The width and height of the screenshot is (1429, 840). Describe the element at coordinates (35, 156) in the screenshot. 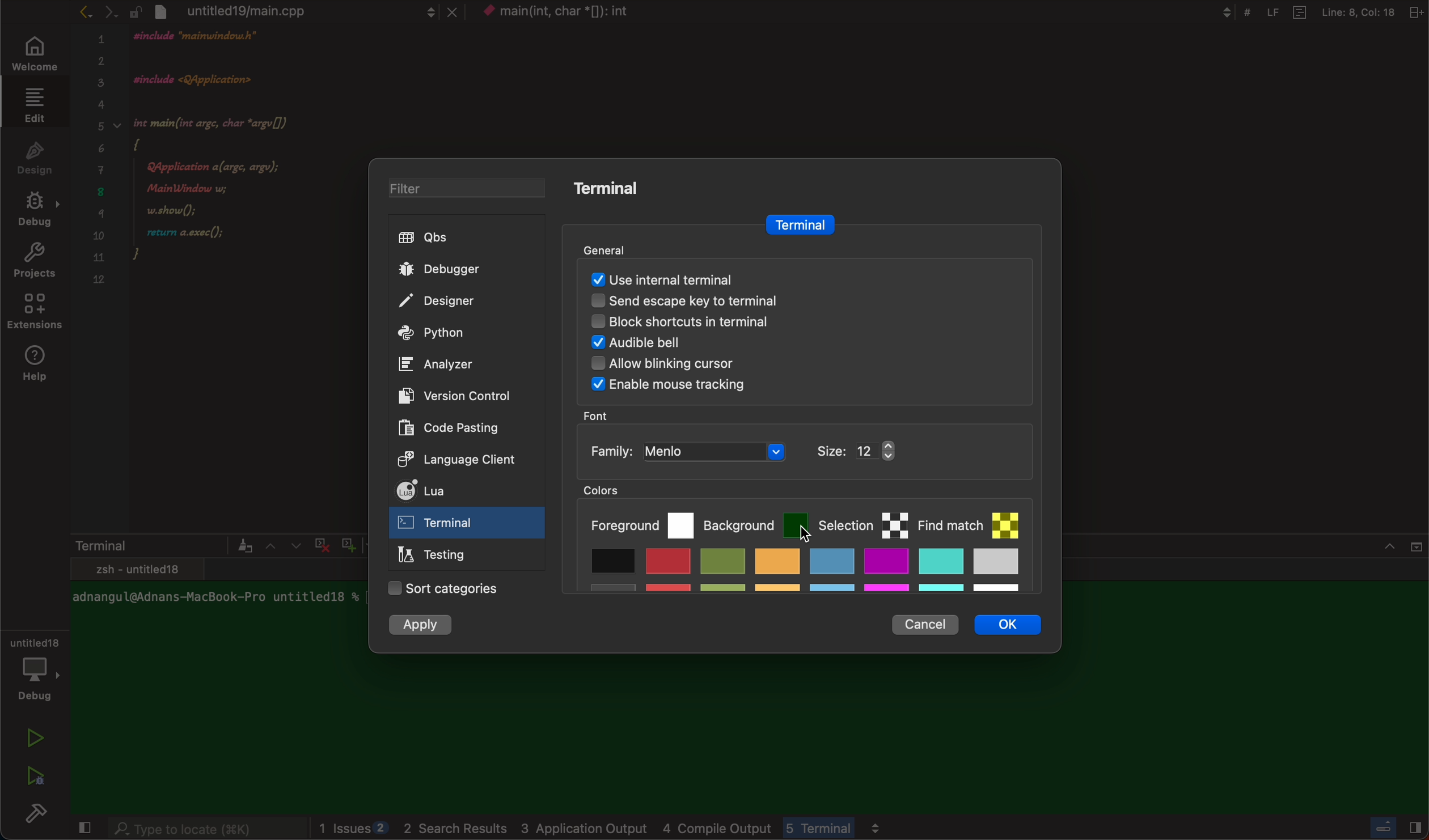

I see `design` at that location.